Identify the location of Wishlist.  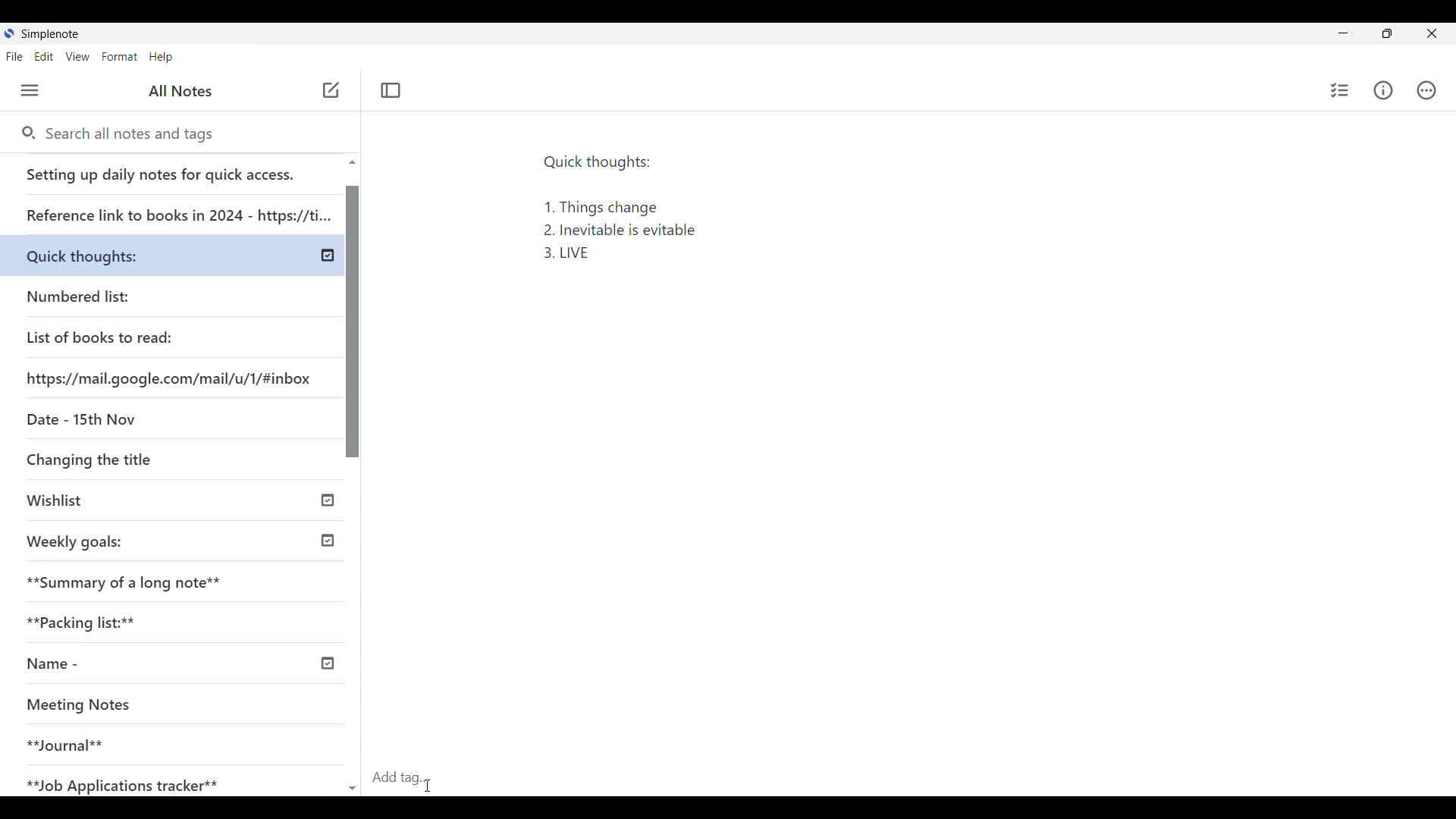
(127, 502).